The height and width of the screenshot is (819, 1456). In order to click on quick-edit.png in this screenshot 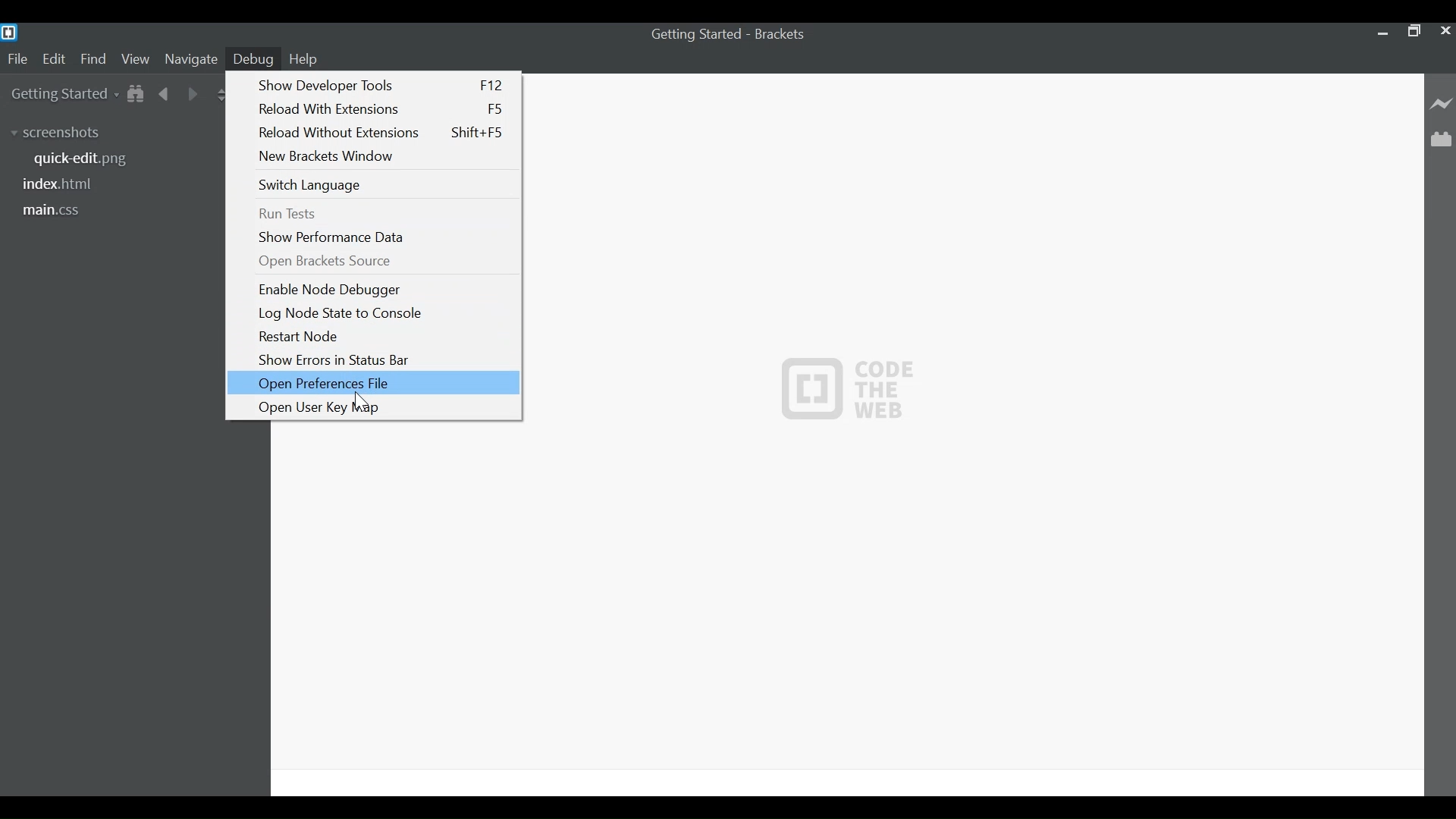, I will do `click(86, 159)`.